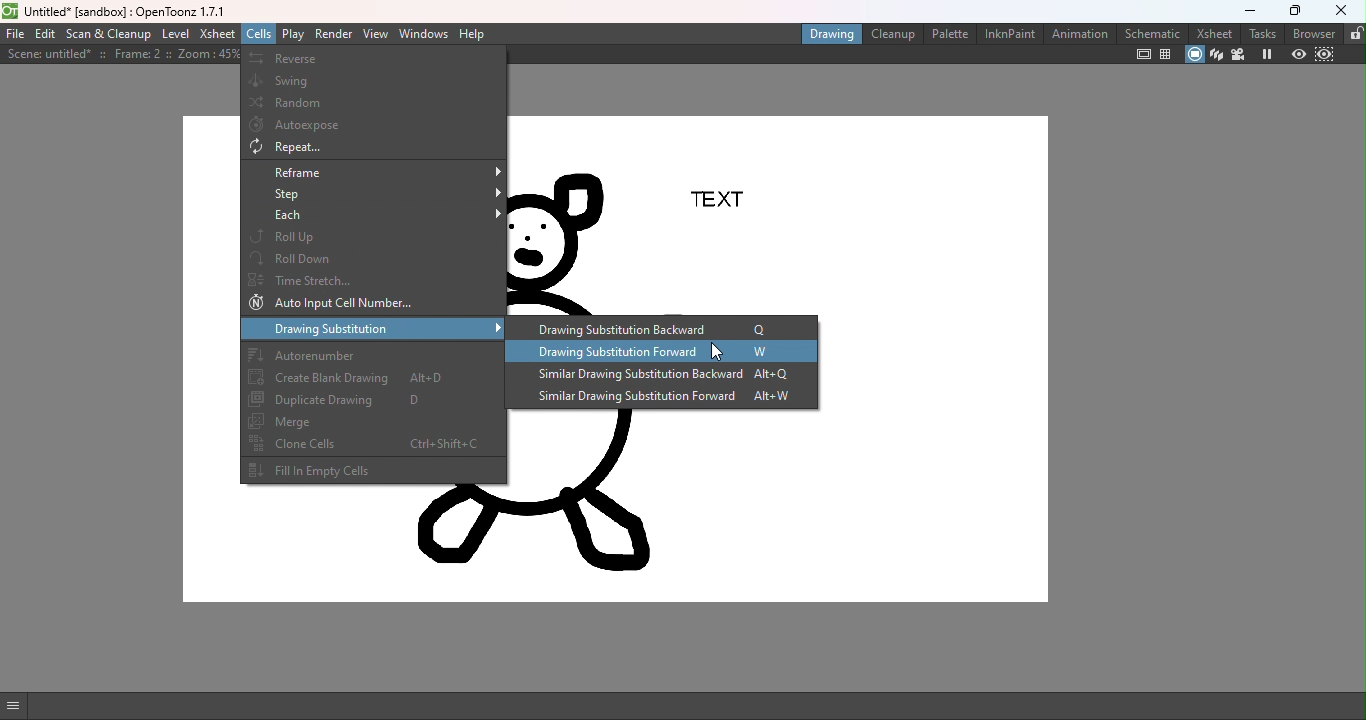 The image size is (1366, 720). What do you see at coordinates (1216, 53) in the screenshot?
I see `3D view` at bounding box center [1216, 53].